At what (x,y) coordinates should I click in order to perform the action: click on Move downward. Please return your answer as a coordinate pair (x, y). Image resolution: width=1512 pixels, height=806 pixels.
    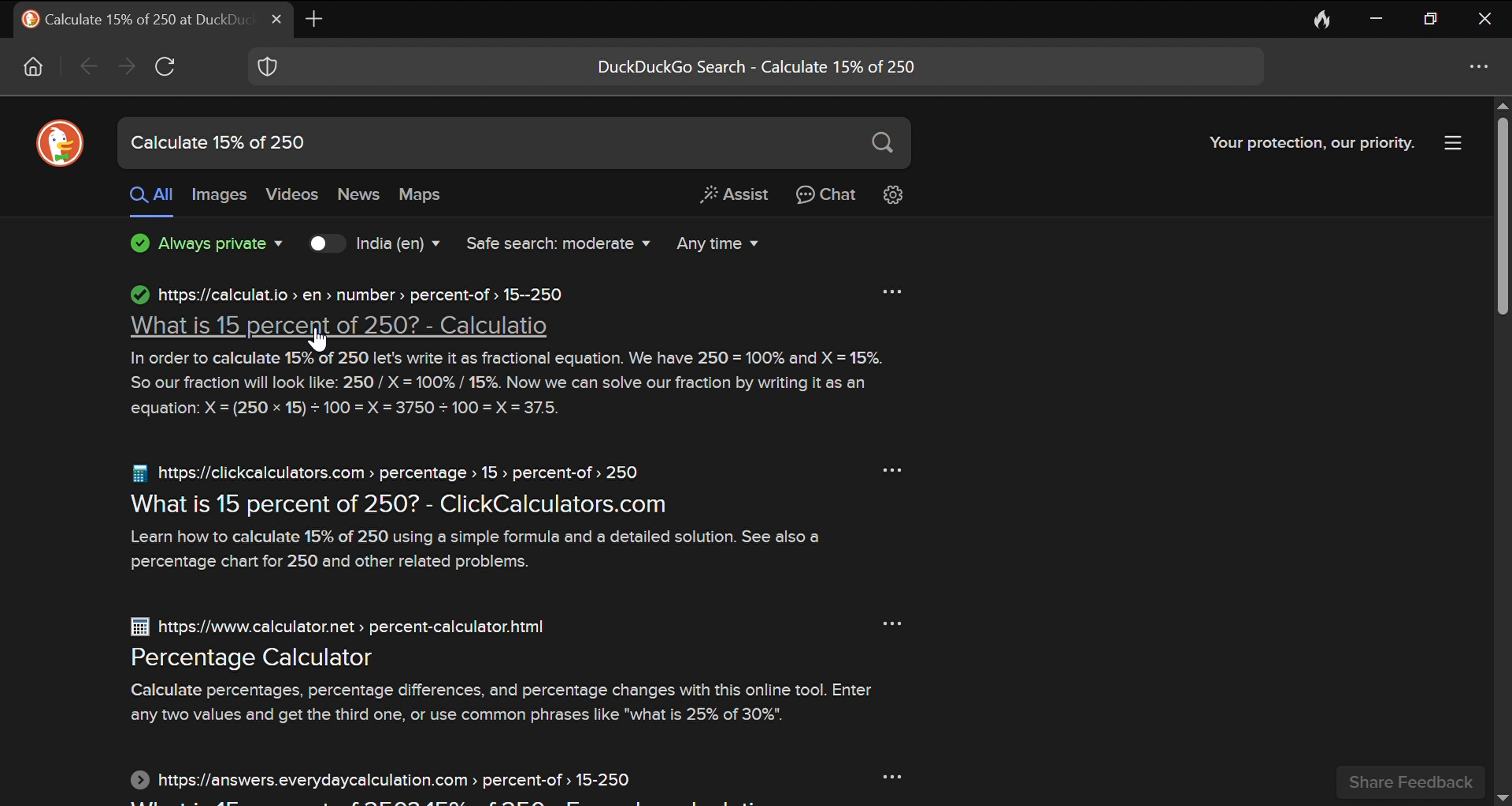
    Looking at the image, I should click on (1503, 797).